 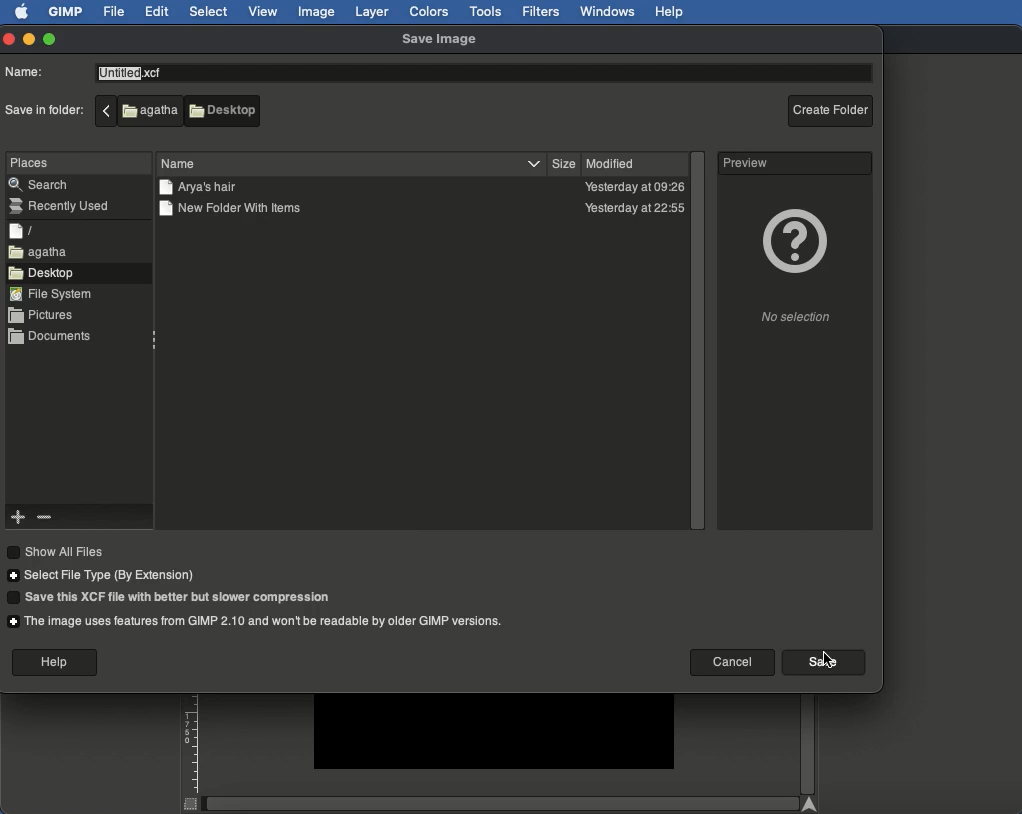 I want to click on xcf file, so click(x=132, y=73).